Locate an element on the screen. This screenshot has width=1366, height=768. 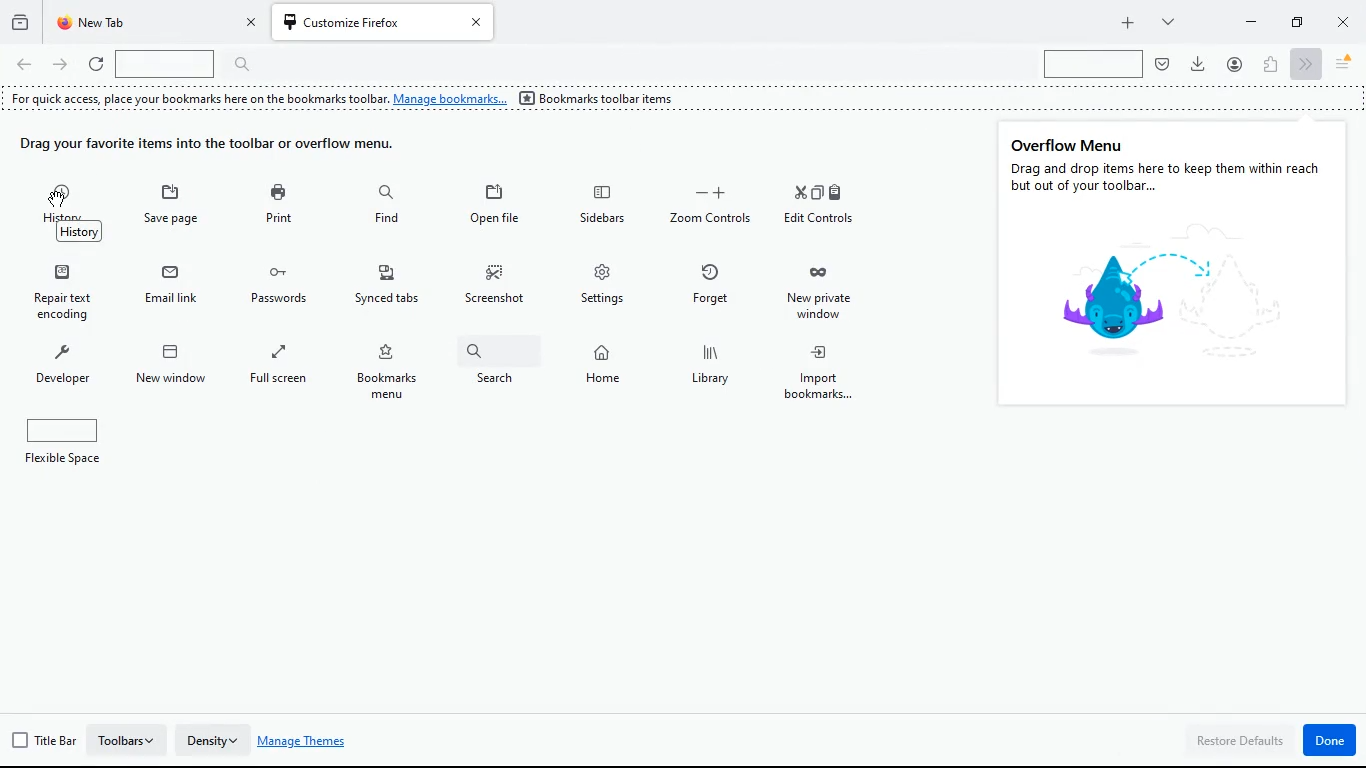
email link is located at coordinates (180, 286).